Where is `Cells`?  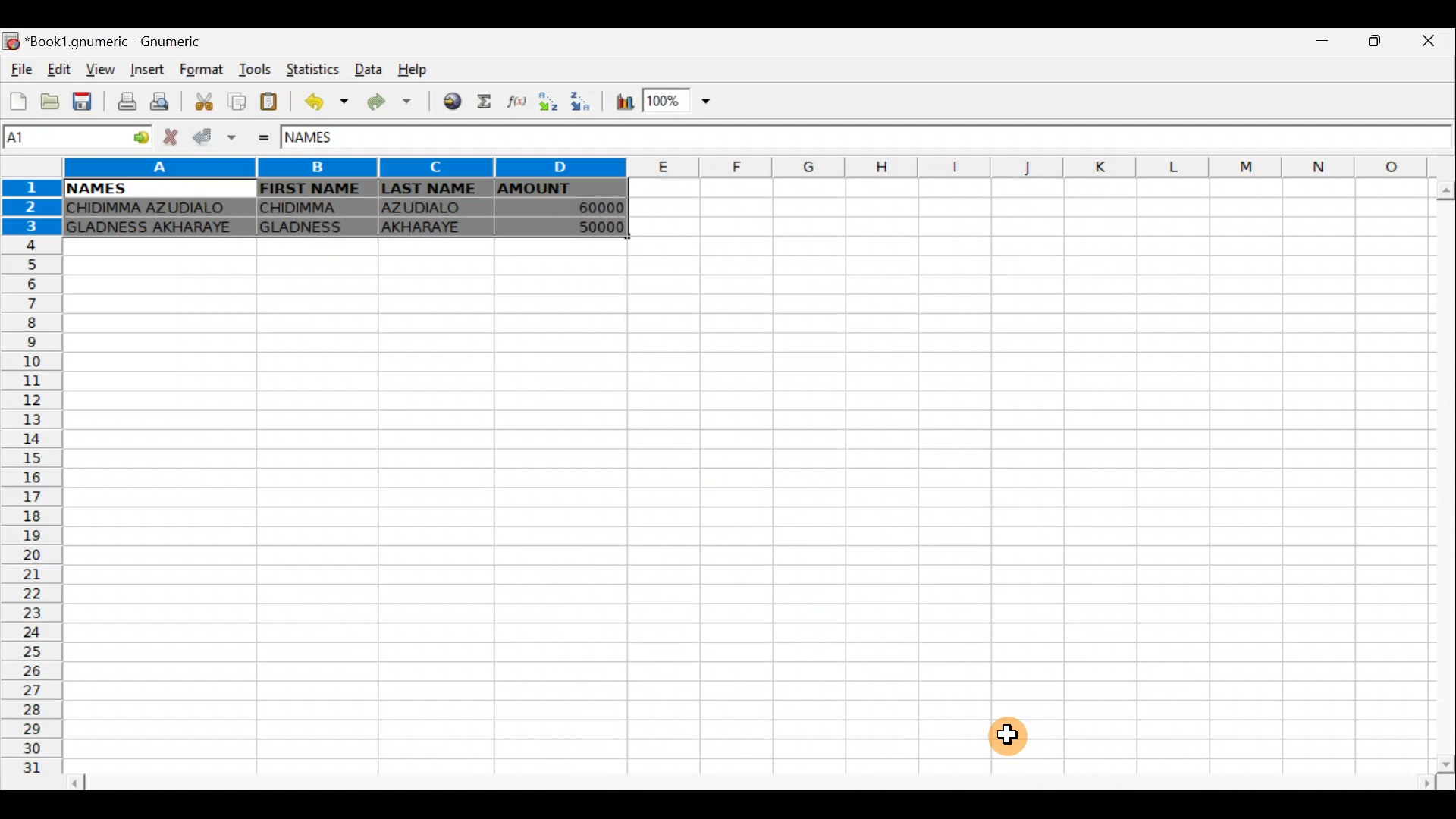
Cells is located at coordinates (737, 506).